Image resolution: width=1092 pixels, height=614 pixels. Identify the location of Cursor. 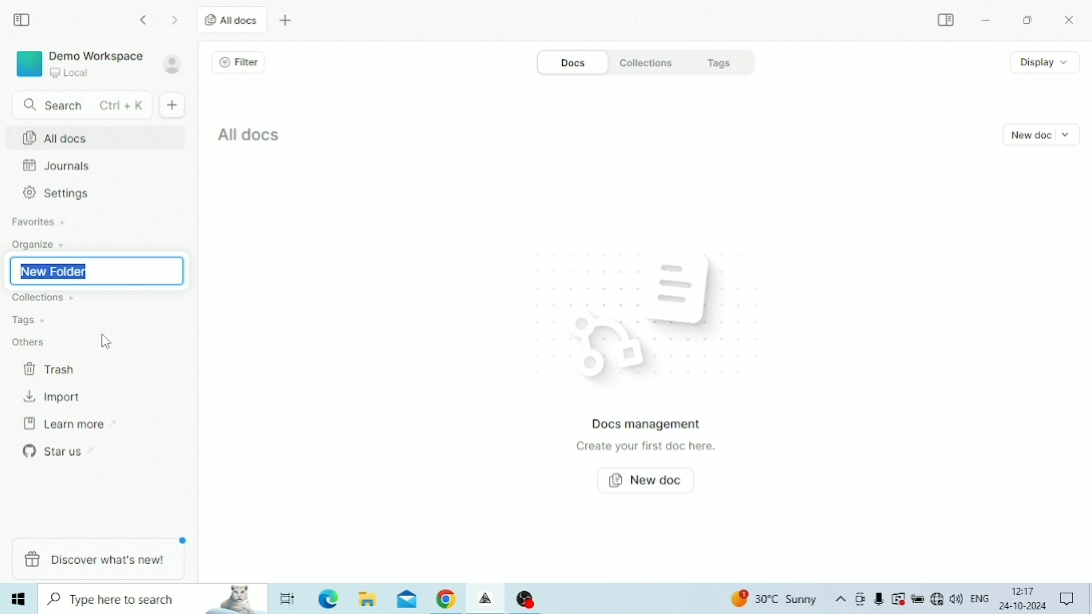
(107, 341).